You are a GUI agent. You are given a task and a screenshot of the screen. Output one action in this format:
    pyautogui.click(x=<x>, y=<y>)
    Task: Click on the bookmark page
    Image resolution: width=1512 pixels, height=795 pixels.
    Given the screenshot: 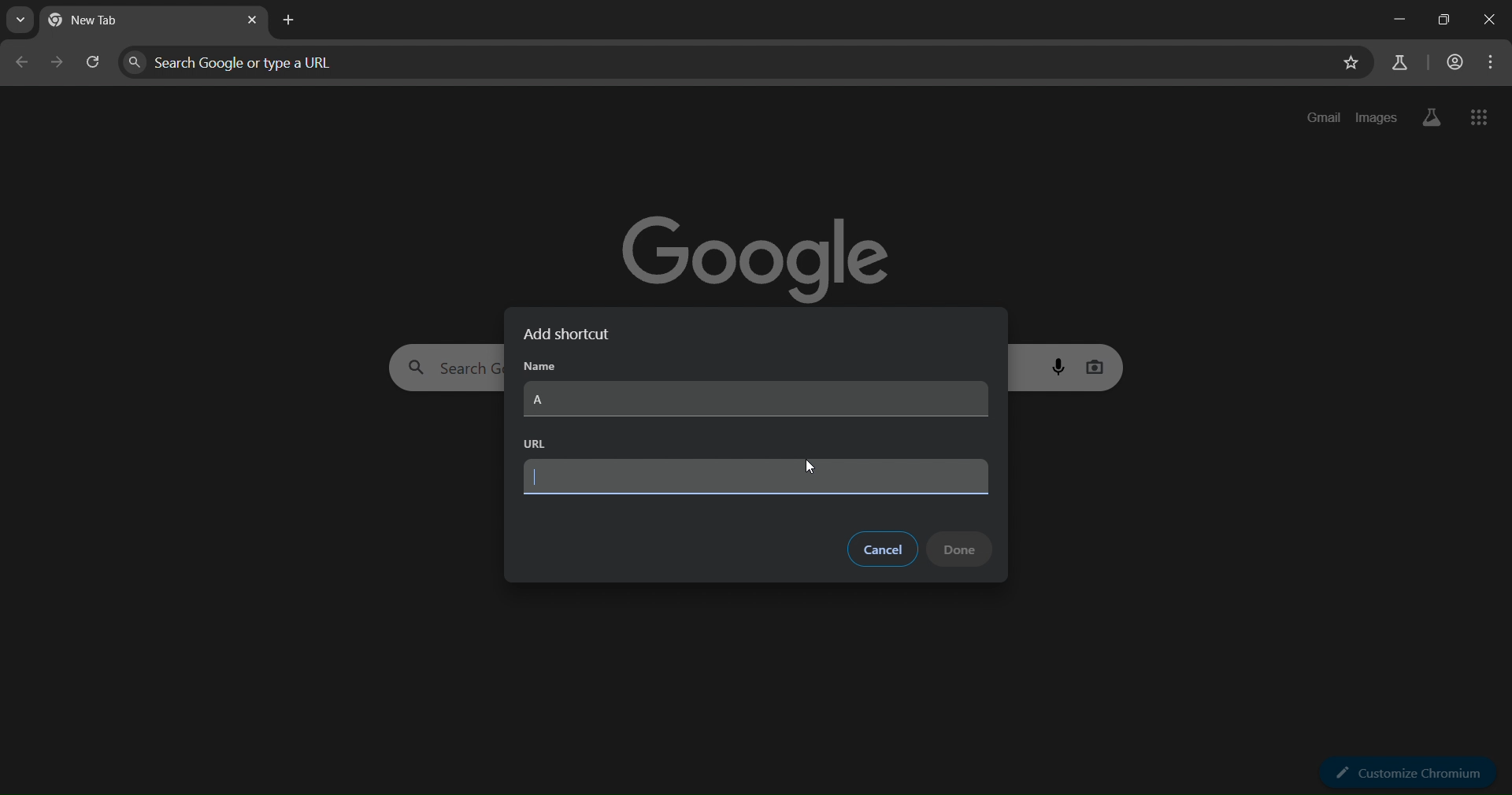 What is the action you would take?
    pyautogui.click(x=1349, y=65)
    